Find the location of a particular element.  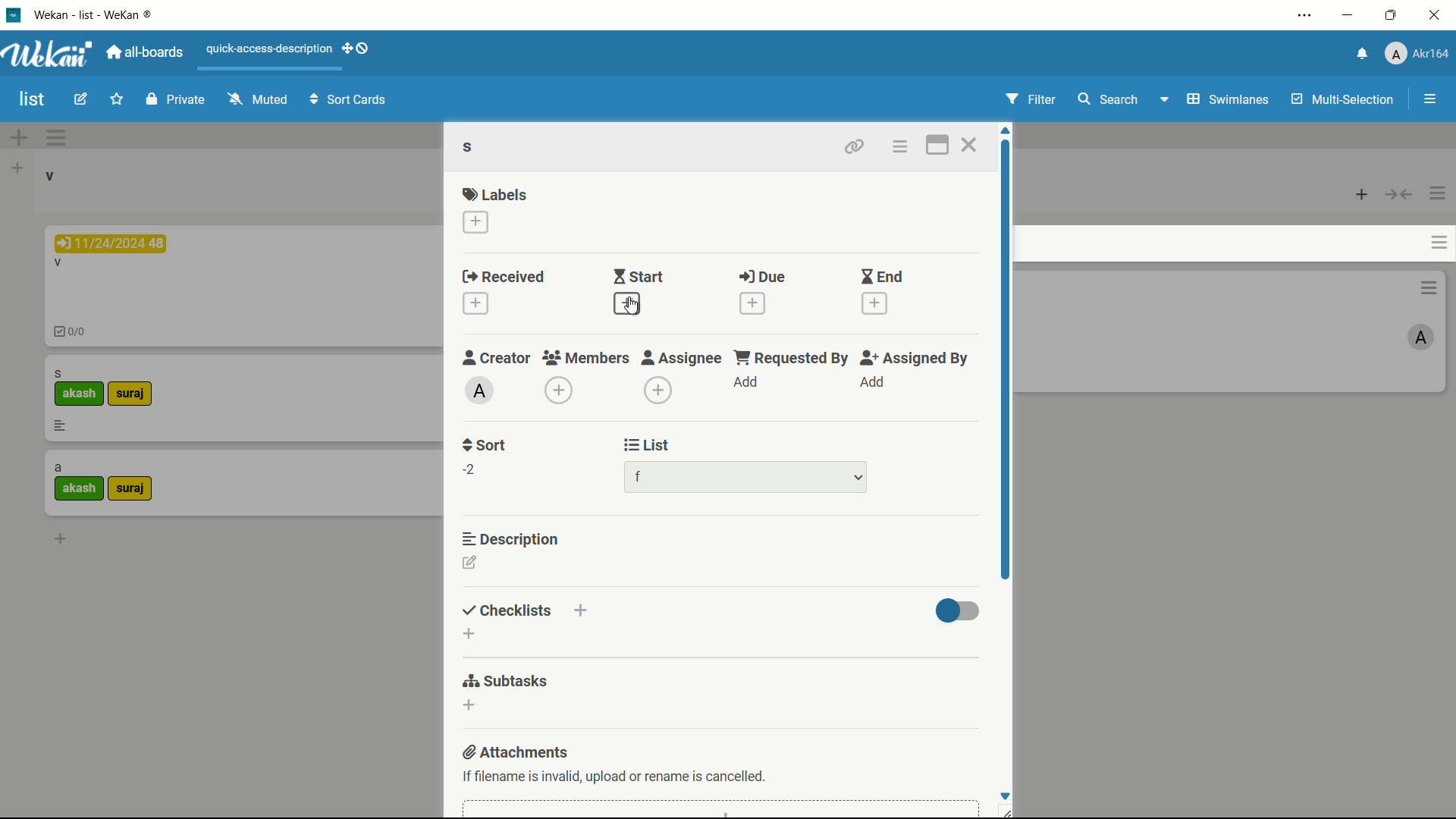

edit is located at coordinates (80, 99).